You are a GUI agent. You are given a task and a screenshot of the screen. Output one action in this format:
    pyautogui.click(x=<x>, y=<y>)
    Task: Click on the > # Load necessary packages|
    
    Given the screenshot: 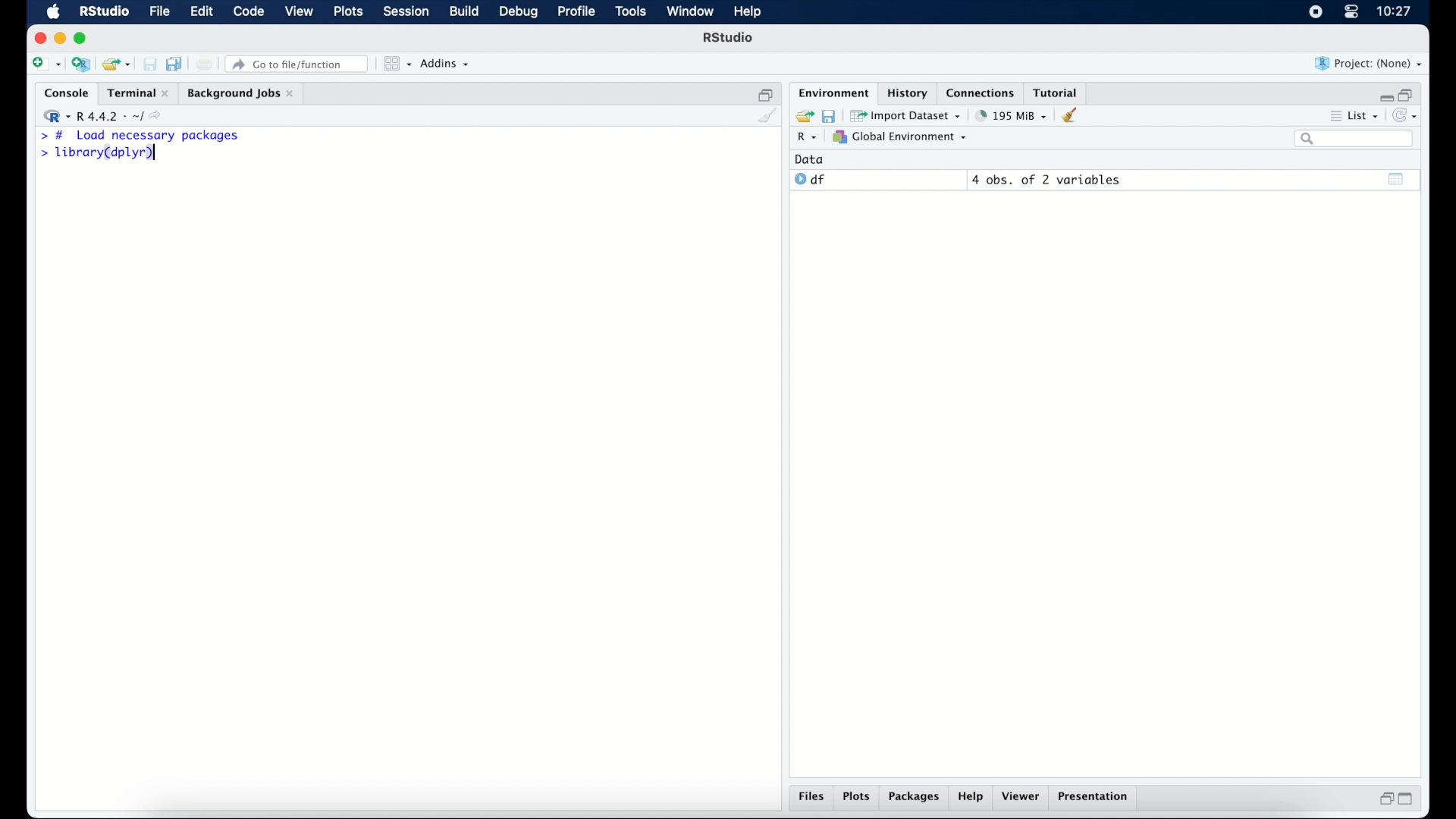 What is the action you would take?
    pyautogui.click(x=140, y=136)
    